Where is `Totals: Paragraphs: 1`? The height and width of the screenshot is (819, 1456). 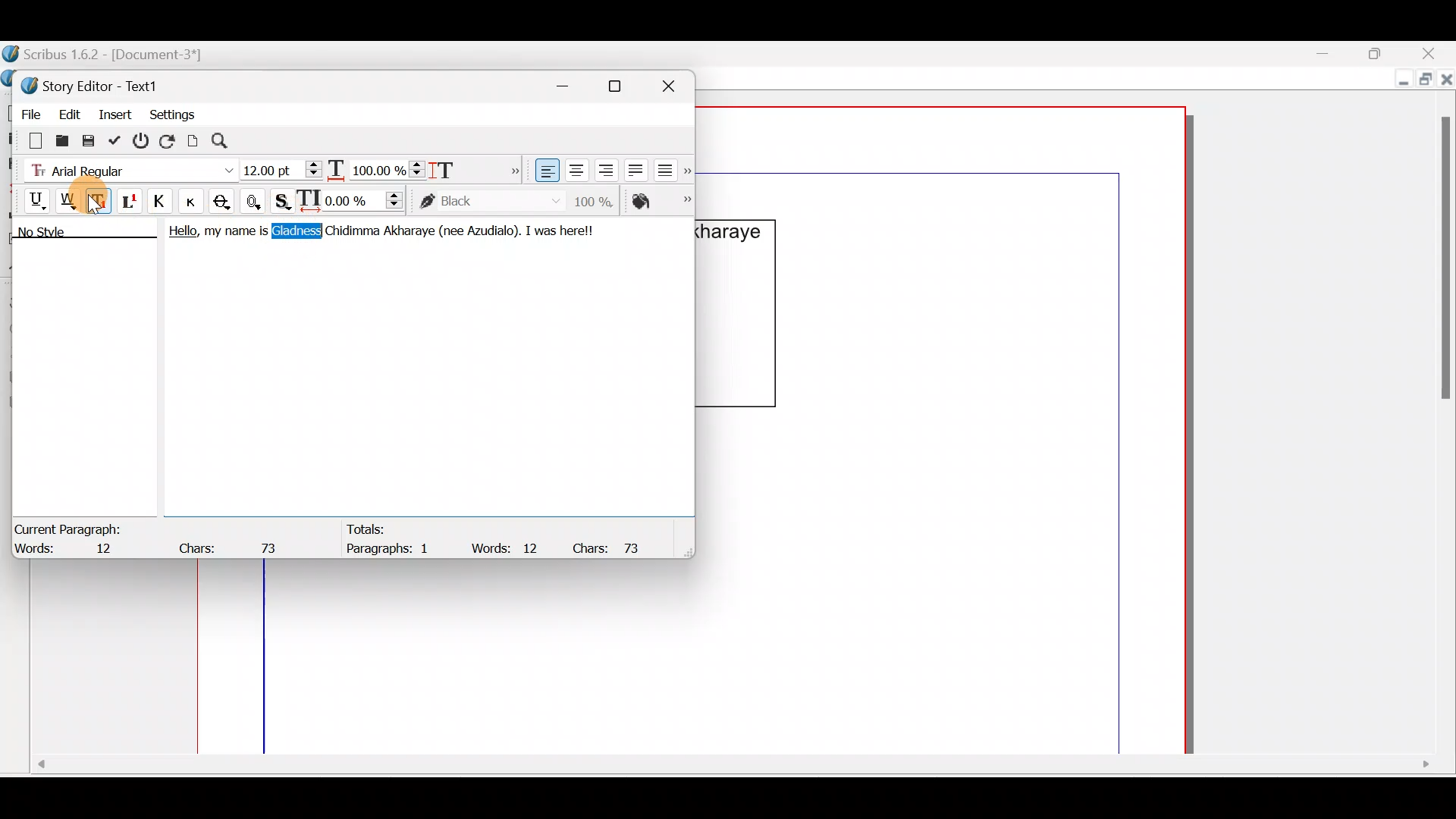
Totals: Paragraphs: 1 is located at coordinates (390, 538).